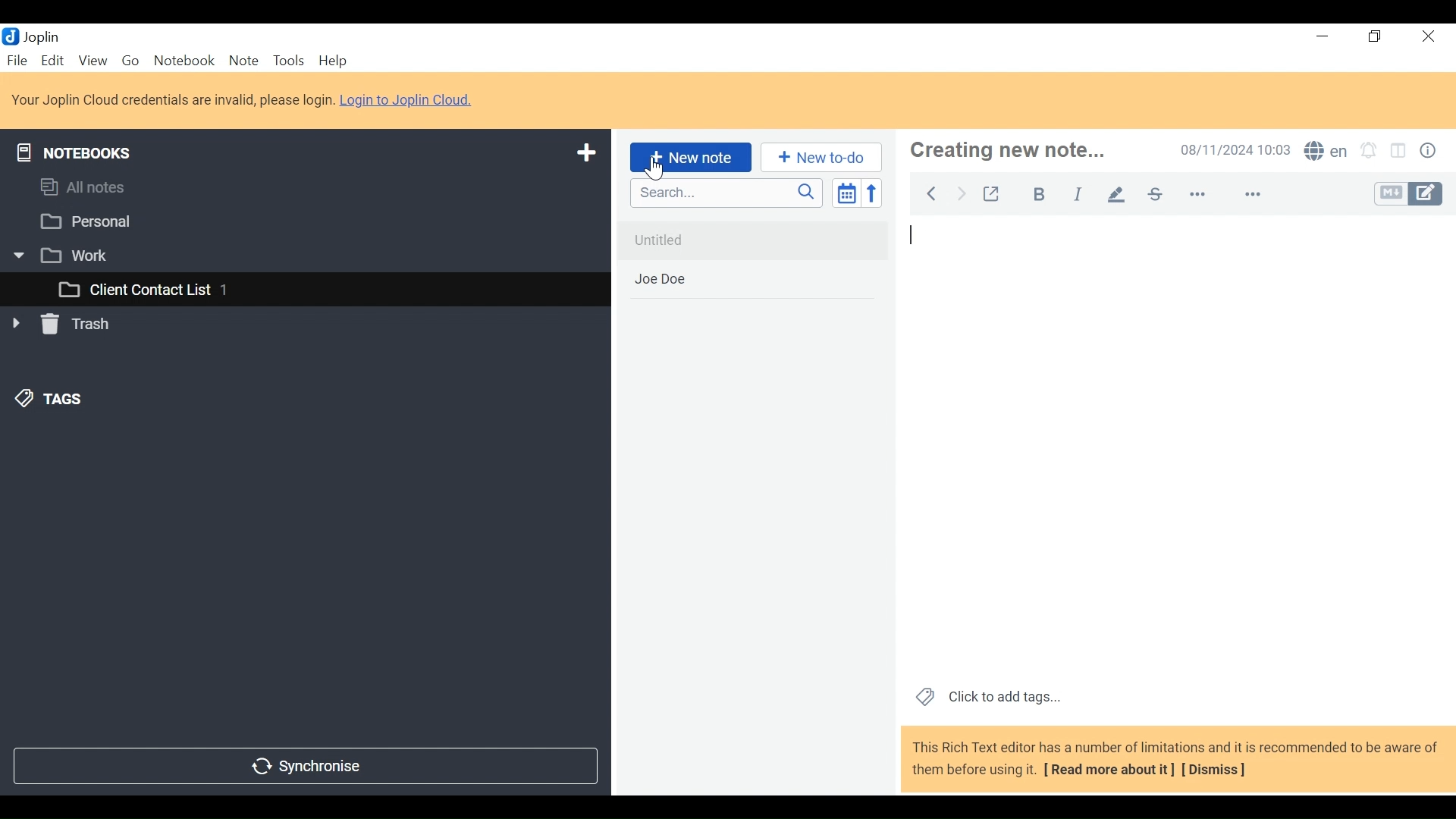 This screenshot has height=819, width=1456. I want to click on Spell checker, so click(1326, 150).